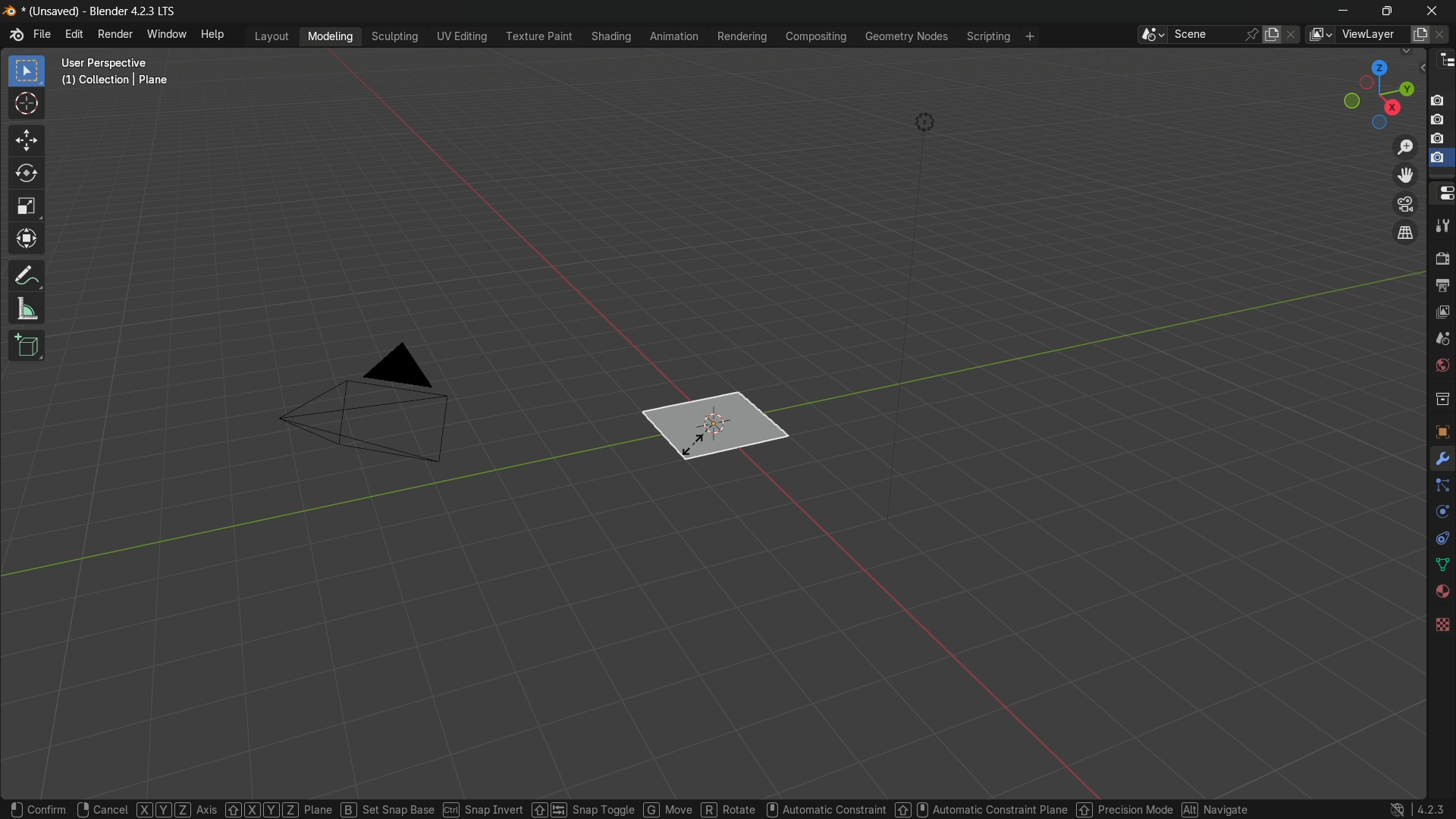  What do you see at coordinates (924, 121) in the screenshot?
I see `light` at bounding box center [924, 121].